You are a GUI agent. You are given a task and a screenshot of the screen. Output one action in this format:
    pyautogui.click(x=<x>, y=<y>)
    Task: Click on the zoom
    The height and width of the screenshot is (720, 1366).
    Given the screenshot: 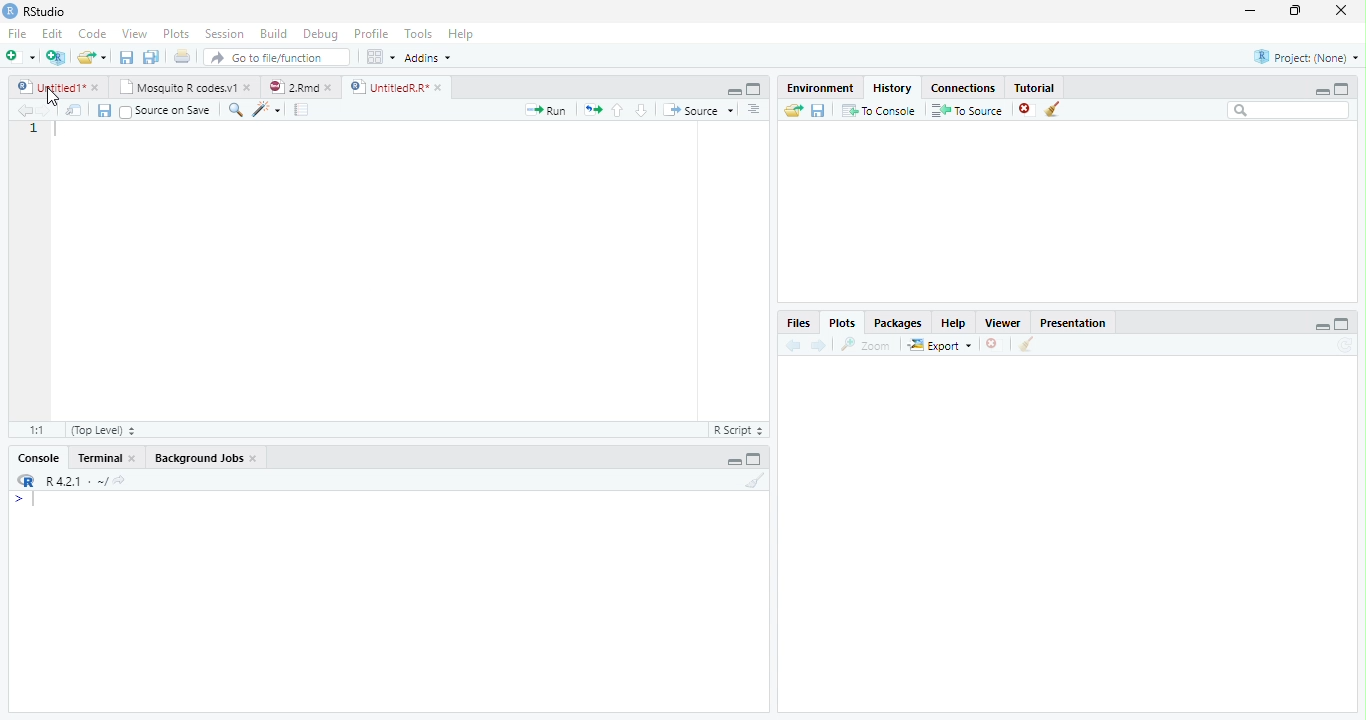 What is the action you would take?
    pyautogui.click(x=869, y=346)
    